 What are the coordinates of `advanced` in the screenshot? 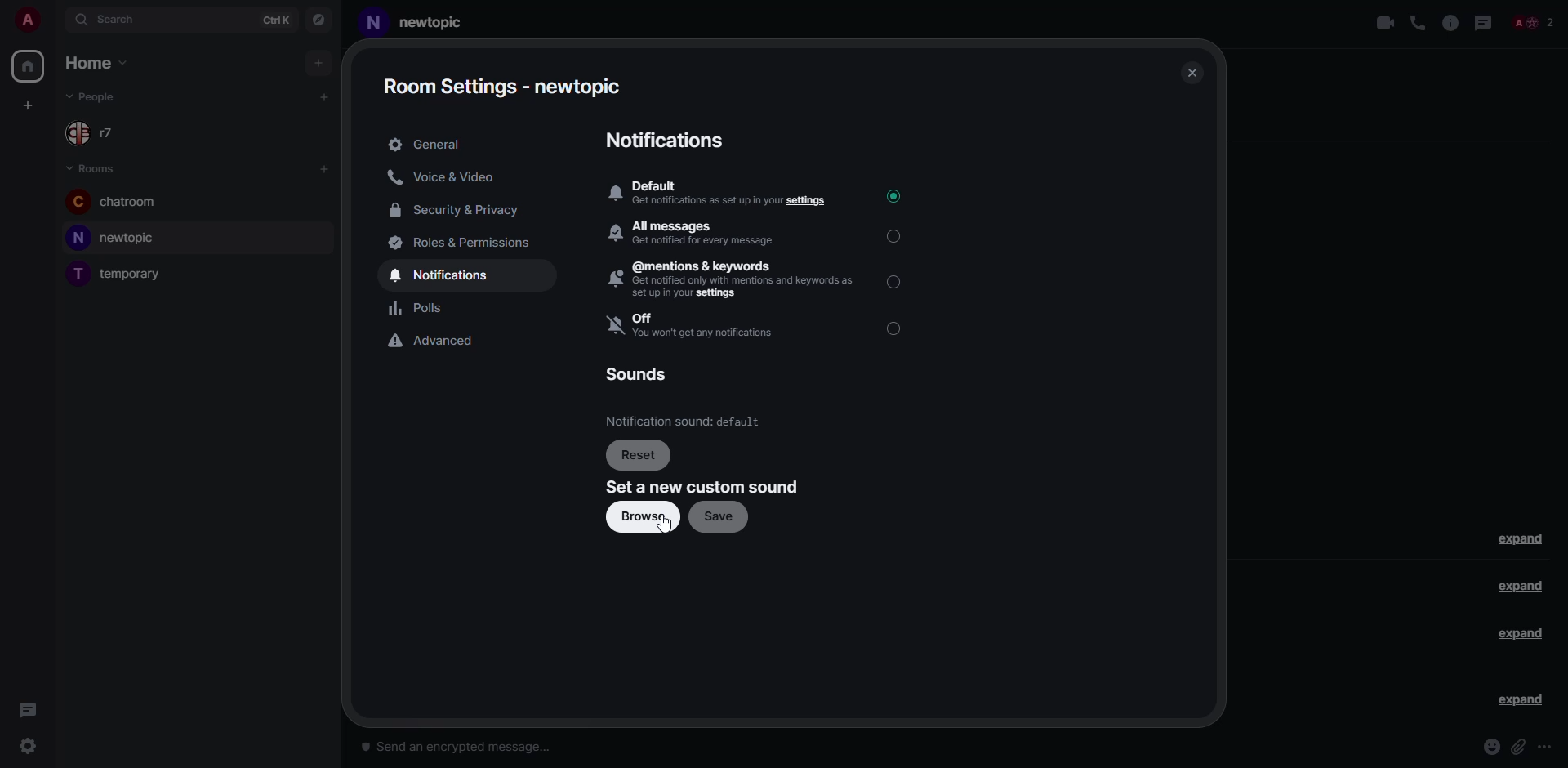 It's located at (439, 342).